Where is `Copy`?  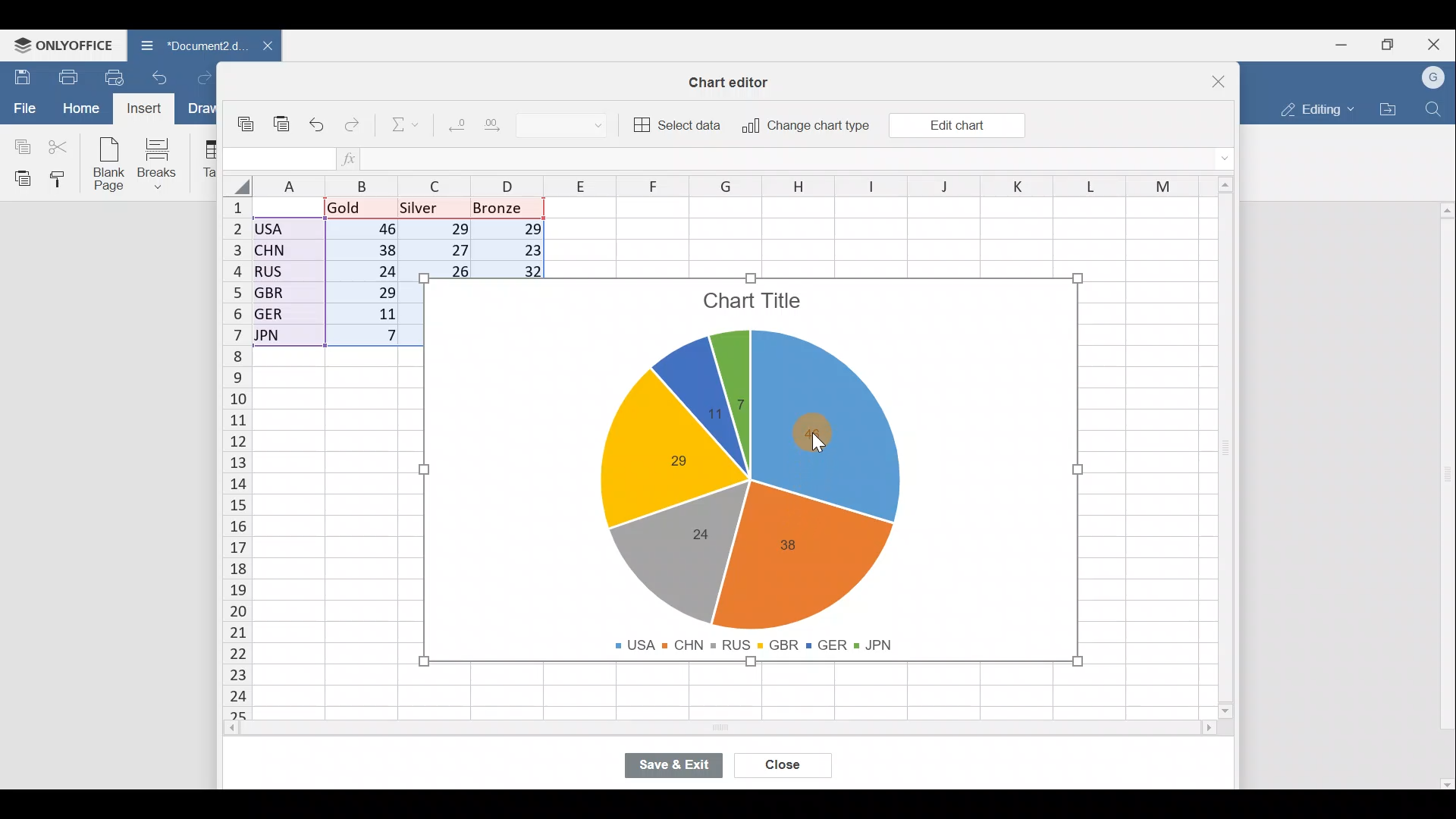
Copy is located at coordinates (249, 126).